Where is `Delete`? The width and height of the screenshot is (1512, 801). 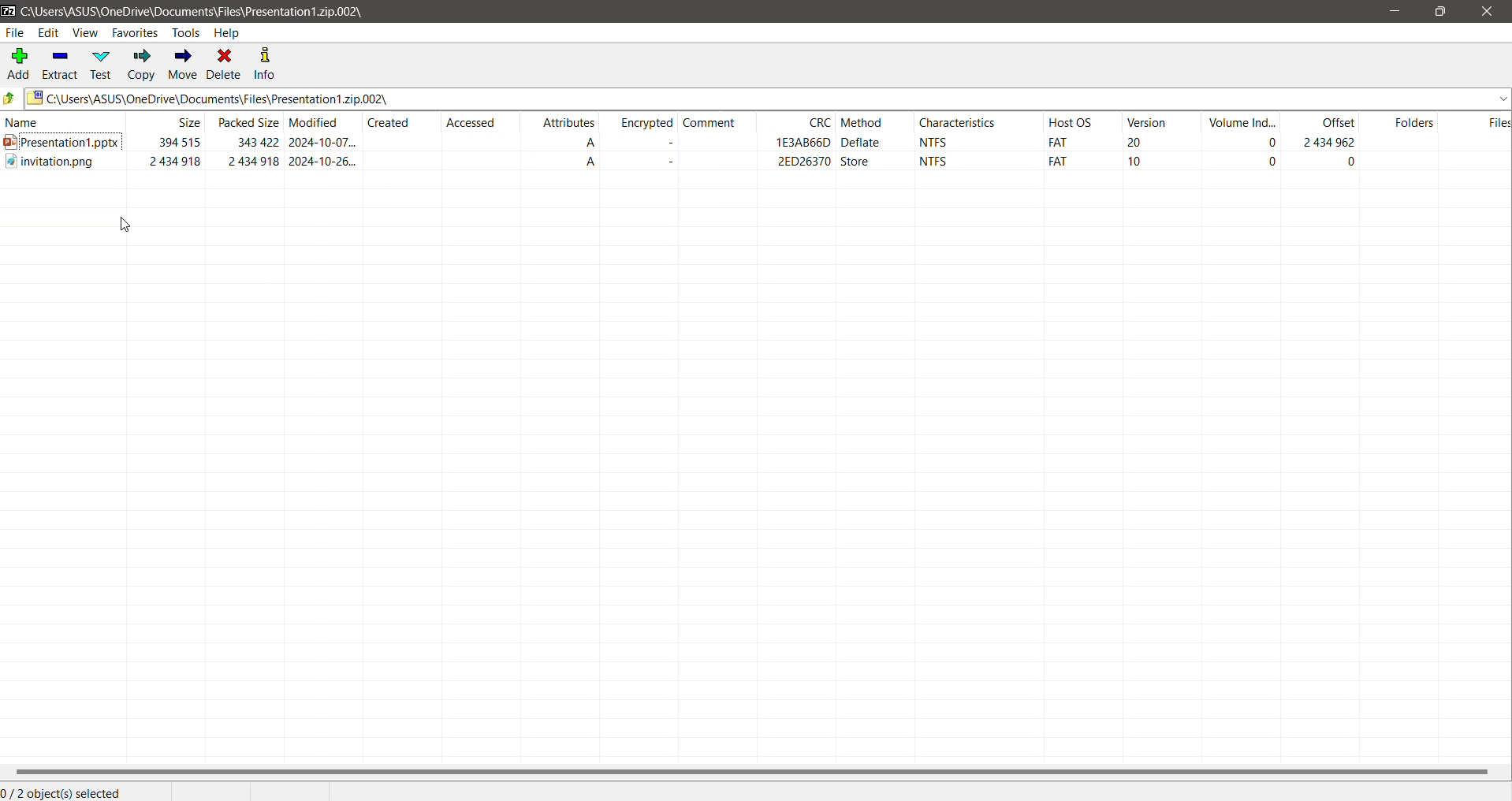
Delete is located at coordinates (224, 64).